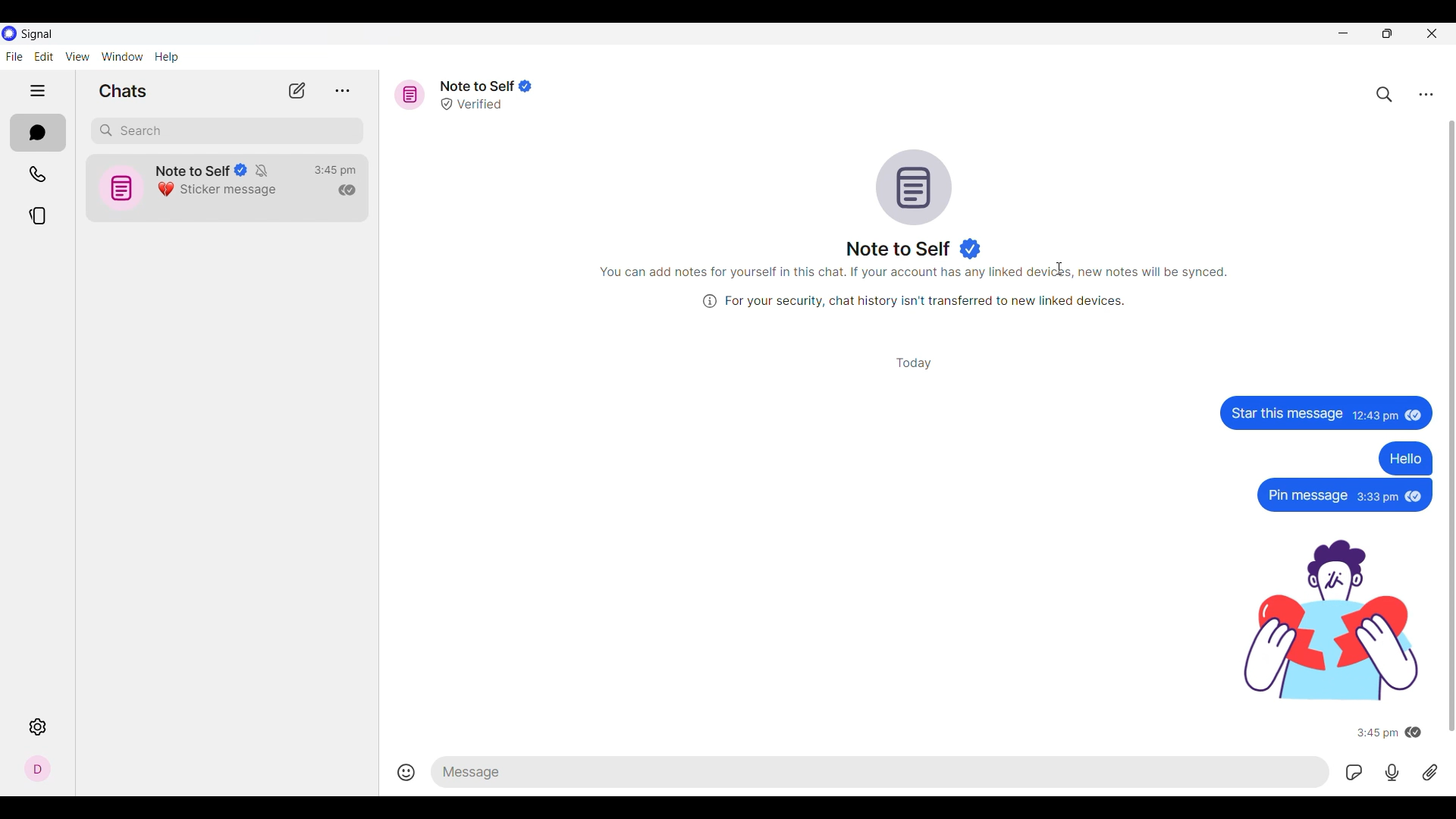 Image resolution: width=1456 pixels, height=819 pixels. I want to click on Minimize, so click(1344, 33).